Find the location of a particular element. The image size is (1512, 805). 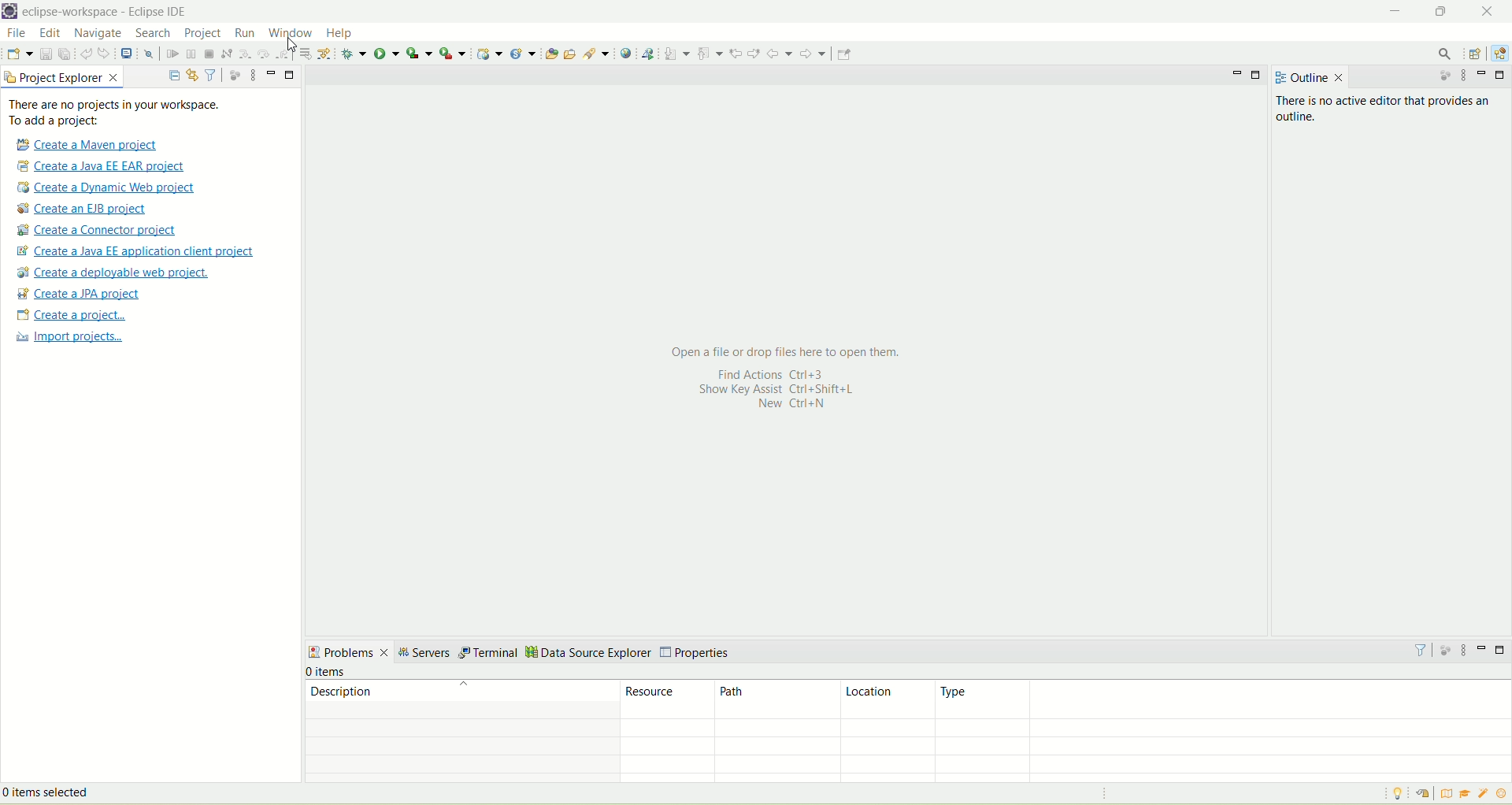

window is located at coordinates (290, 34).